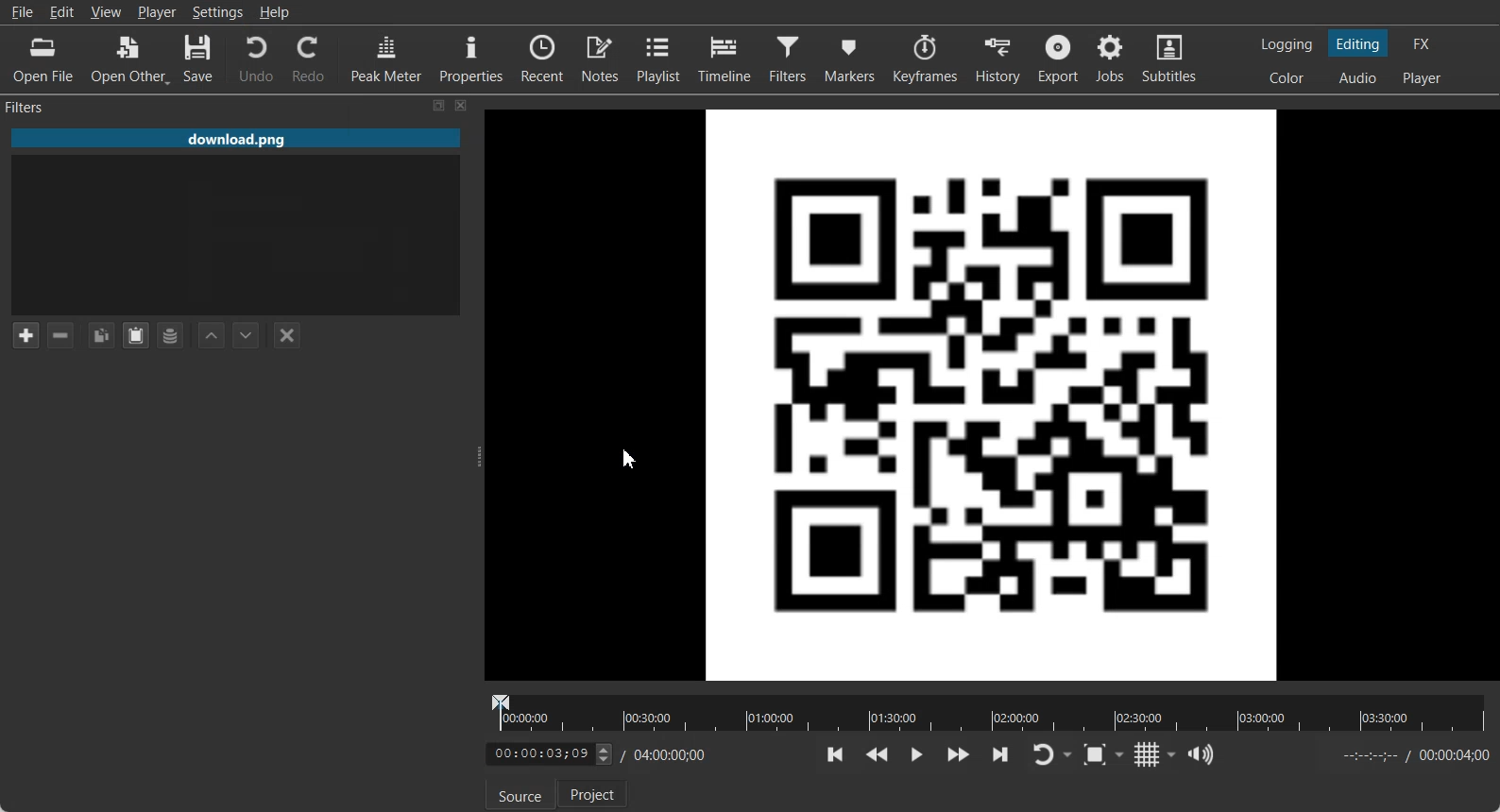  I want to click on Timeline, so click(724, 59).